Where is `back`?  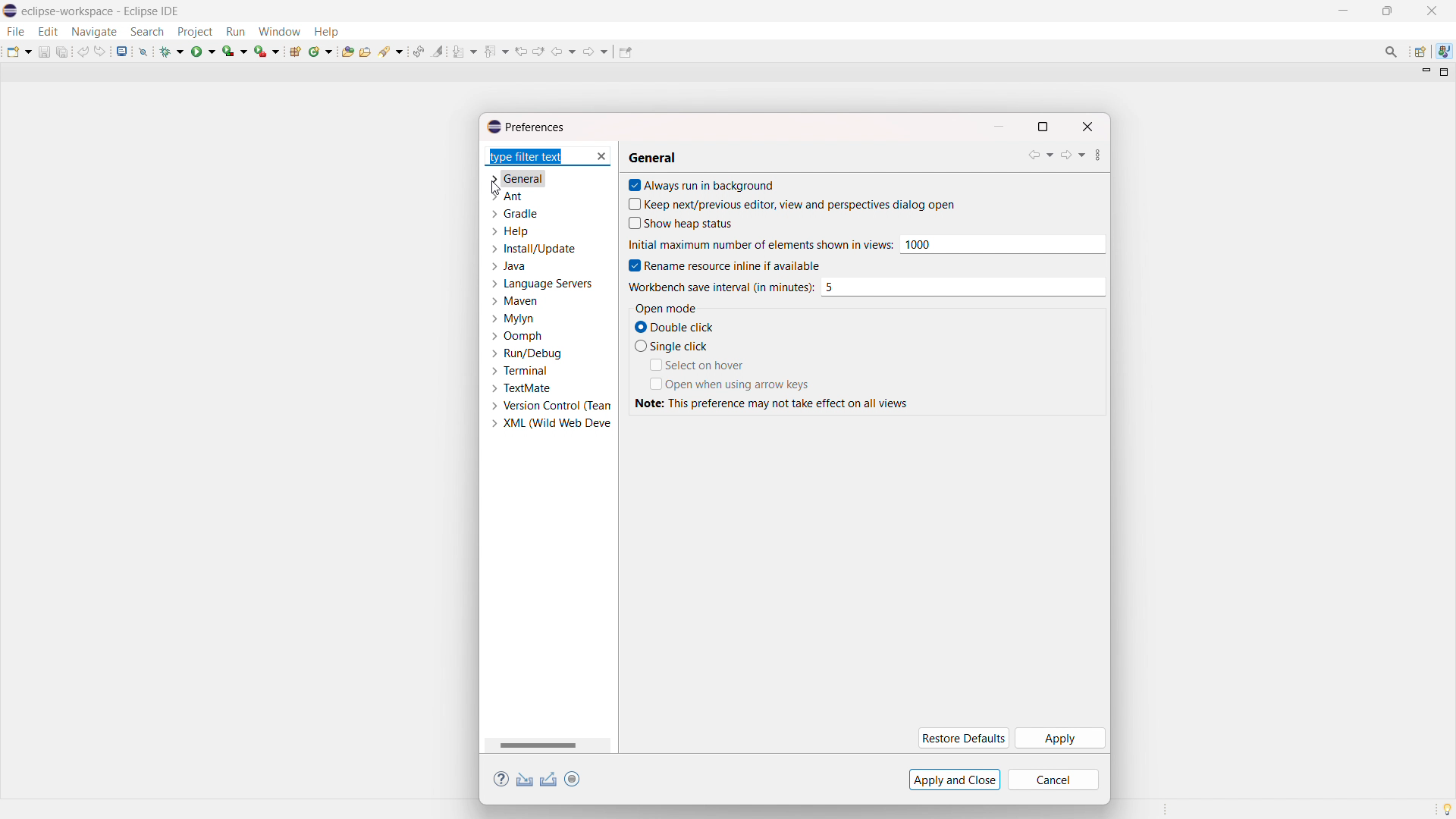
back is located at coordinates (1040, 155).